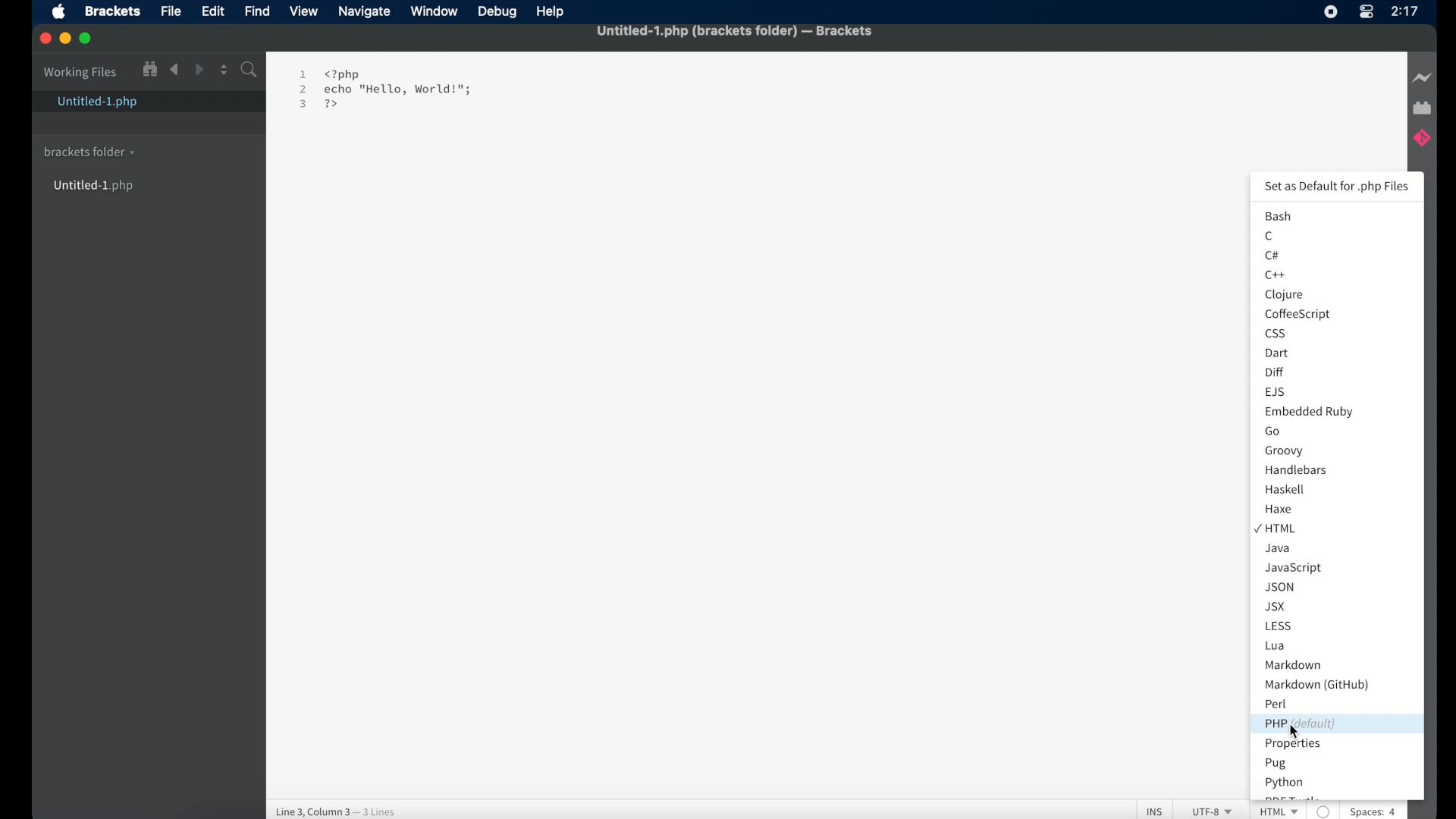 The height and width of the screenshot is (819, 1456). What do you see at coordinates (1284, 489) in the screenshot?
I see `haskell` at bounding box center [1284, 489].